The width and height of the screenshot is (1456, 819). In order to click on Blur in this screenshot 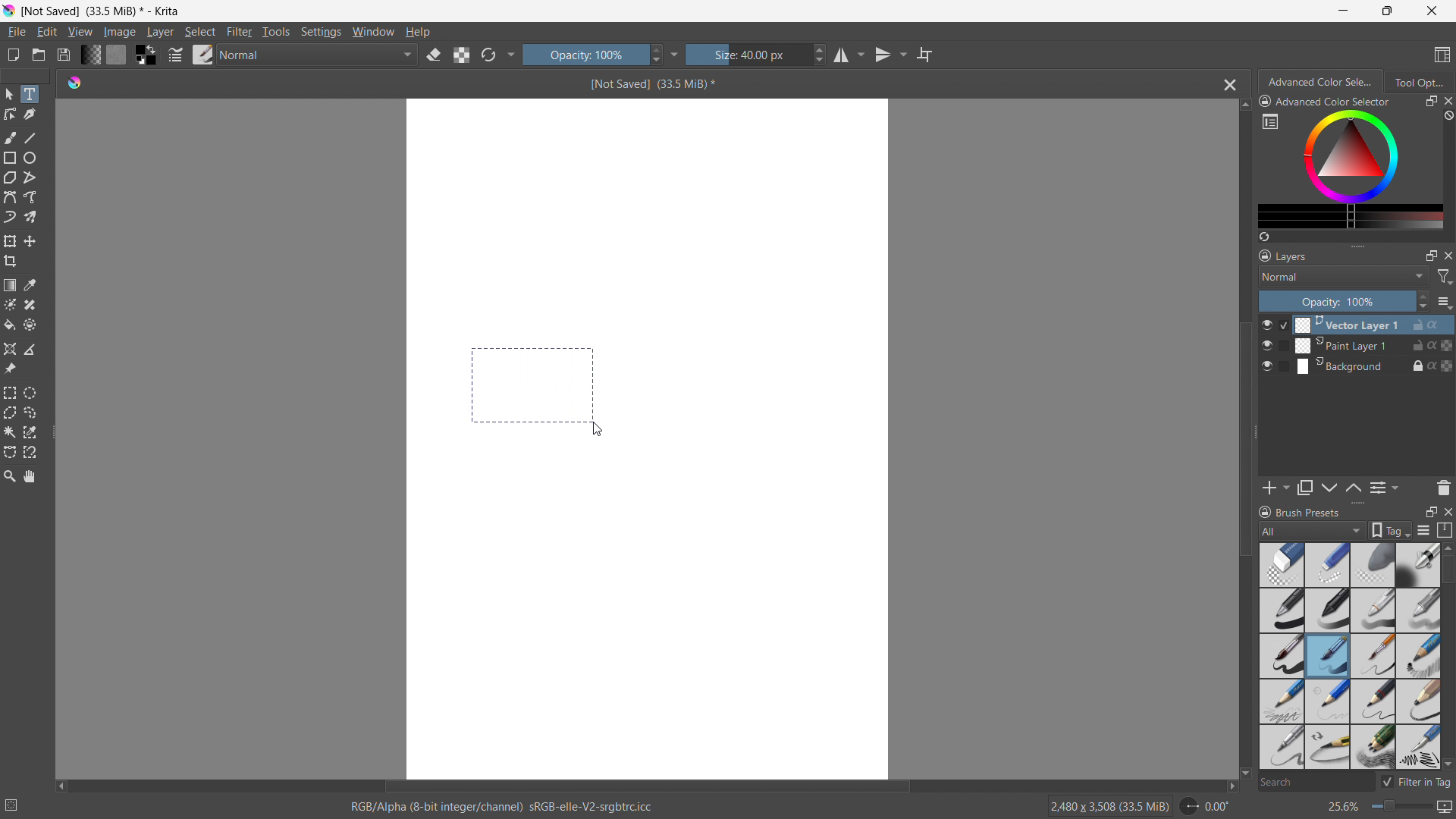, I will do `click(1282, 564)`.